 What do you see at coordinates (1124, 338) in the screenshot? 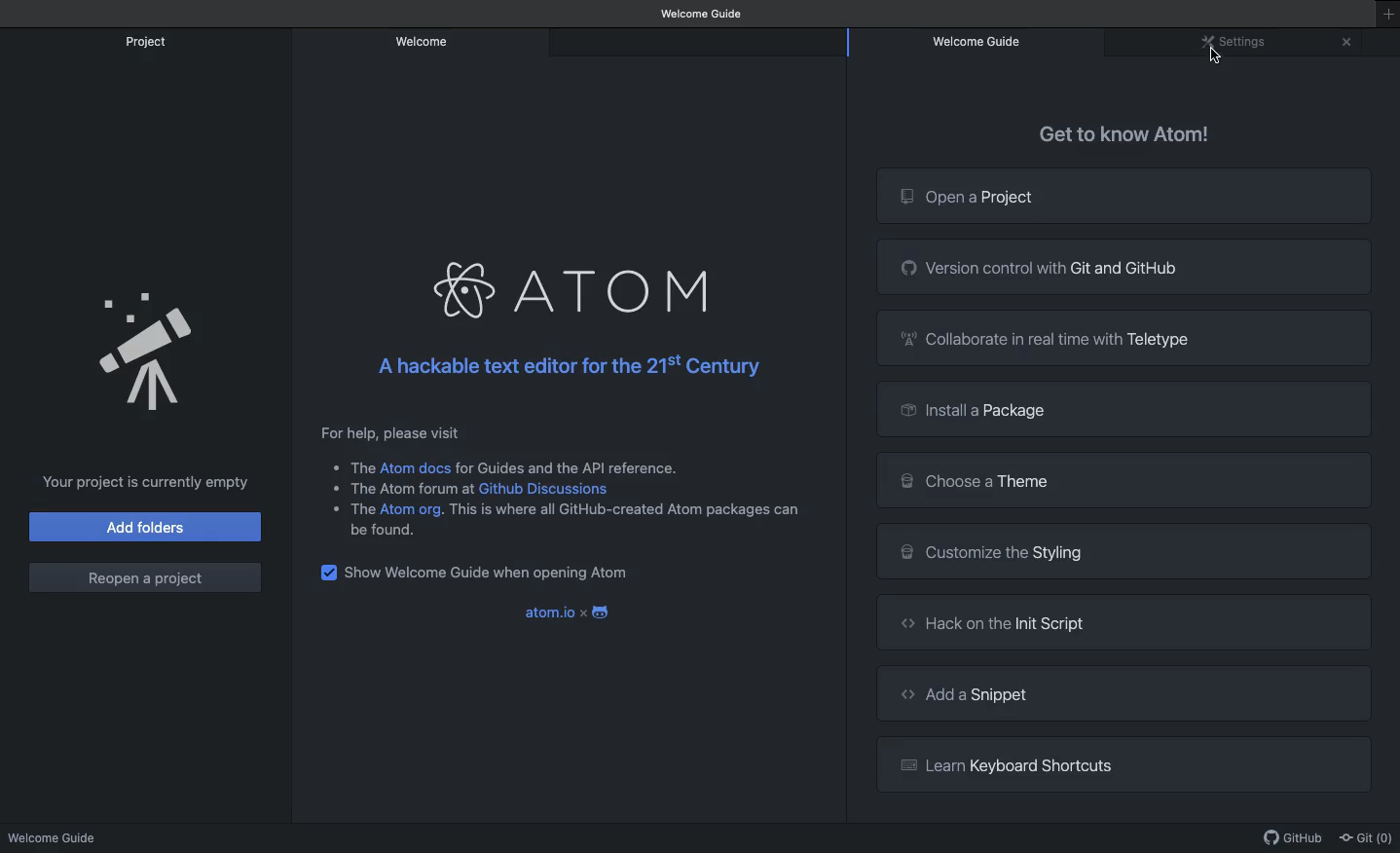
I see `Collaborate in real time with teletype` at bounding box center [1124, 338].